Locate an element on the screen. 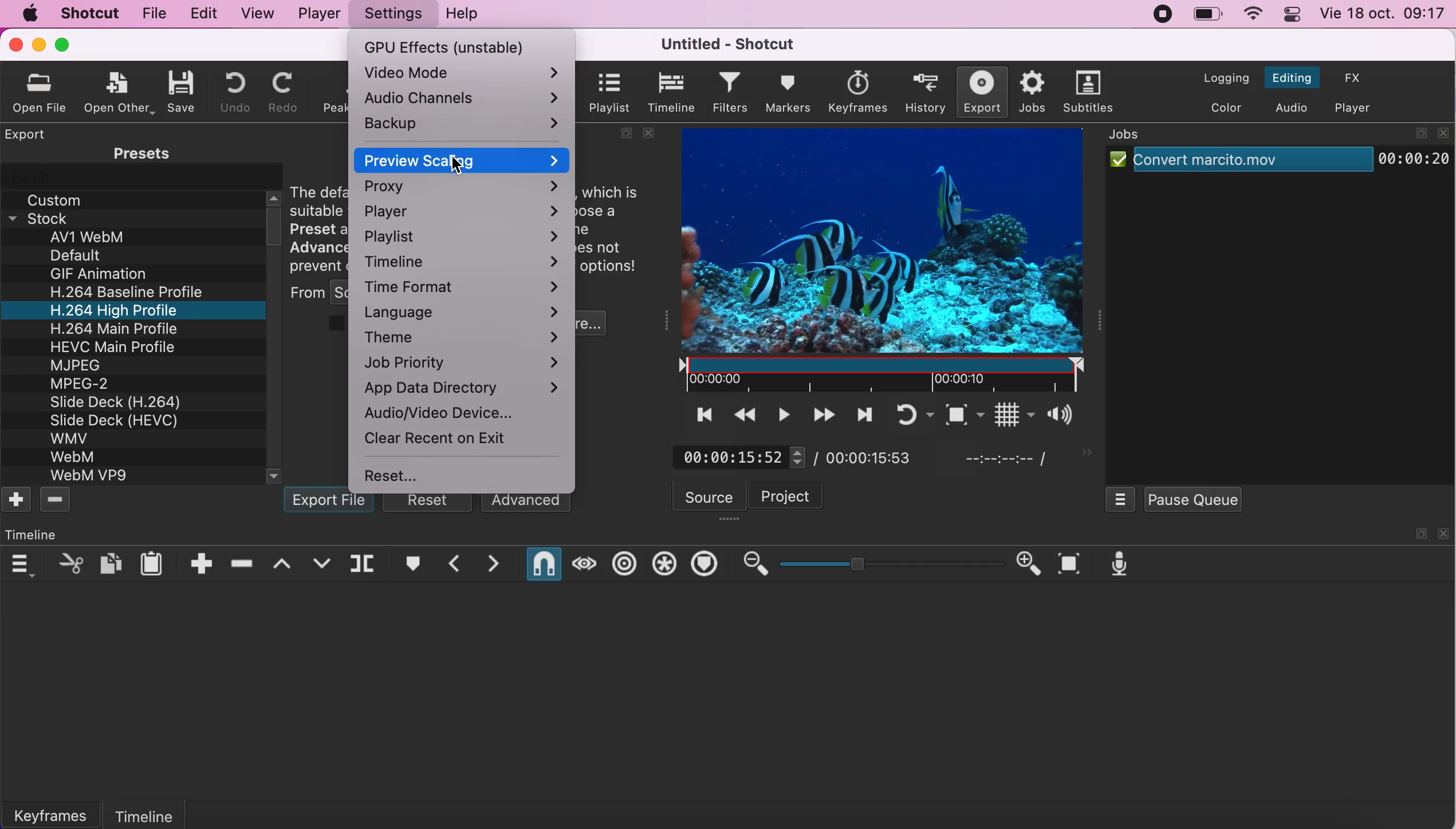  title is located at coordinates (723, 44).